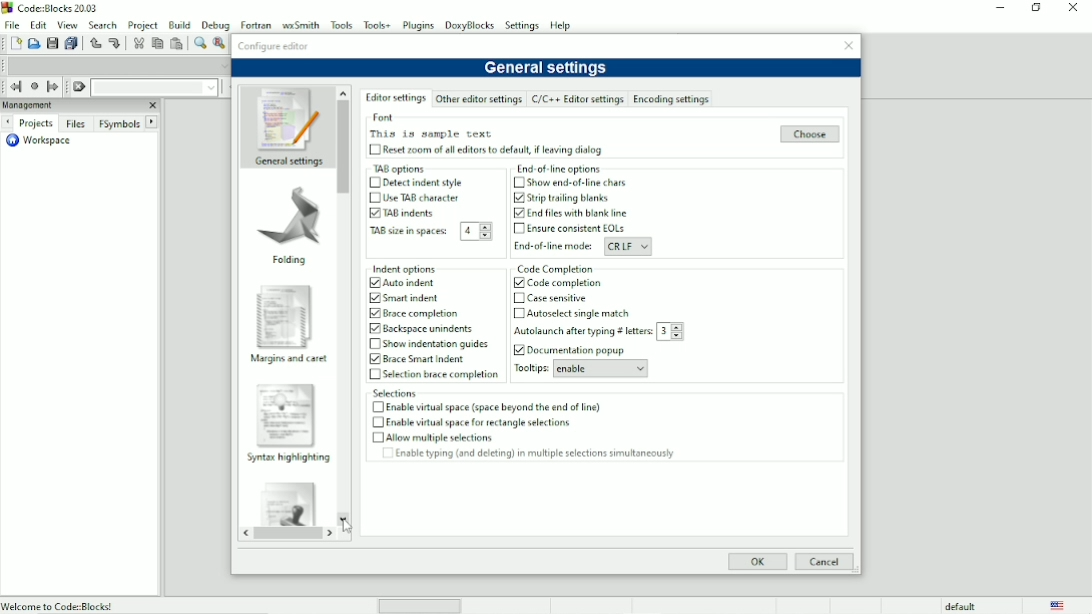 The height and width of the screenshot is (614, 1092). What do you see at coordinates (544, 454) in the screenshot?
I see `Enable typing (and deleting) in multiple selections simultaneously` at bounding box center [544, 454].